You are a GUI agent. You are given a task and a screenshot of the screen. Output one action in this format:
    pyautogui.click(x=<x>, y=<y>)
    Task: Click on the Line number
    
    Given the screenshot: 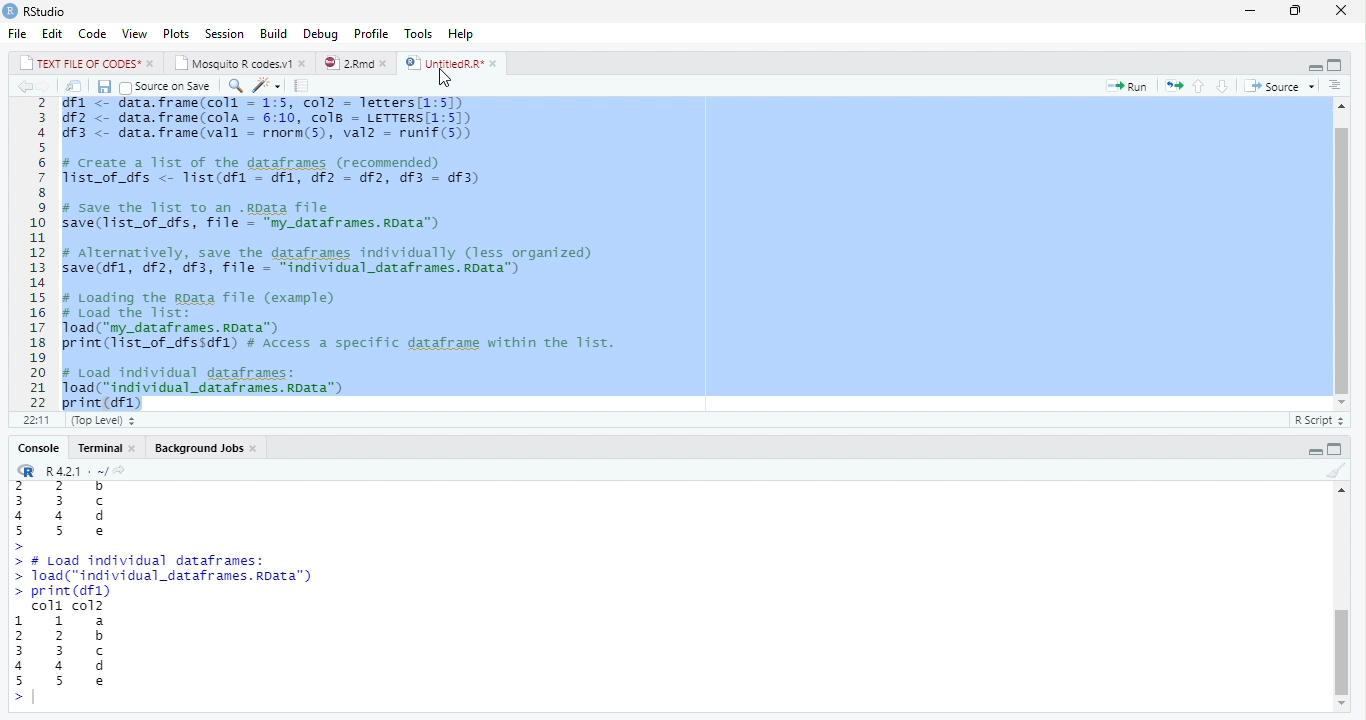 What is the action you would take?
    pyautogui.click(x=35, y=253)
    